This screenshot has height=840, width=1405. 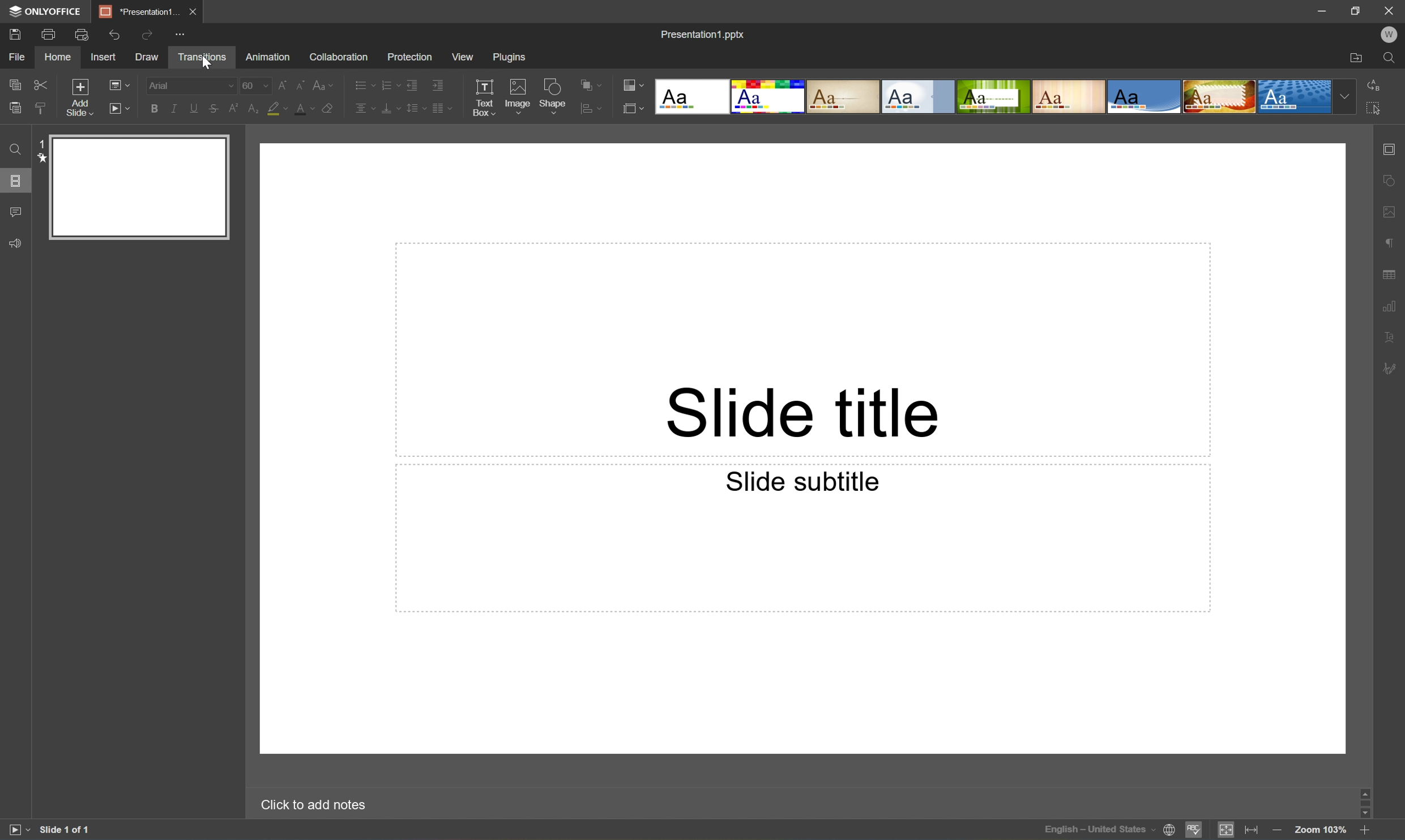 I want to click on Redo, so click(x=147, y=35).